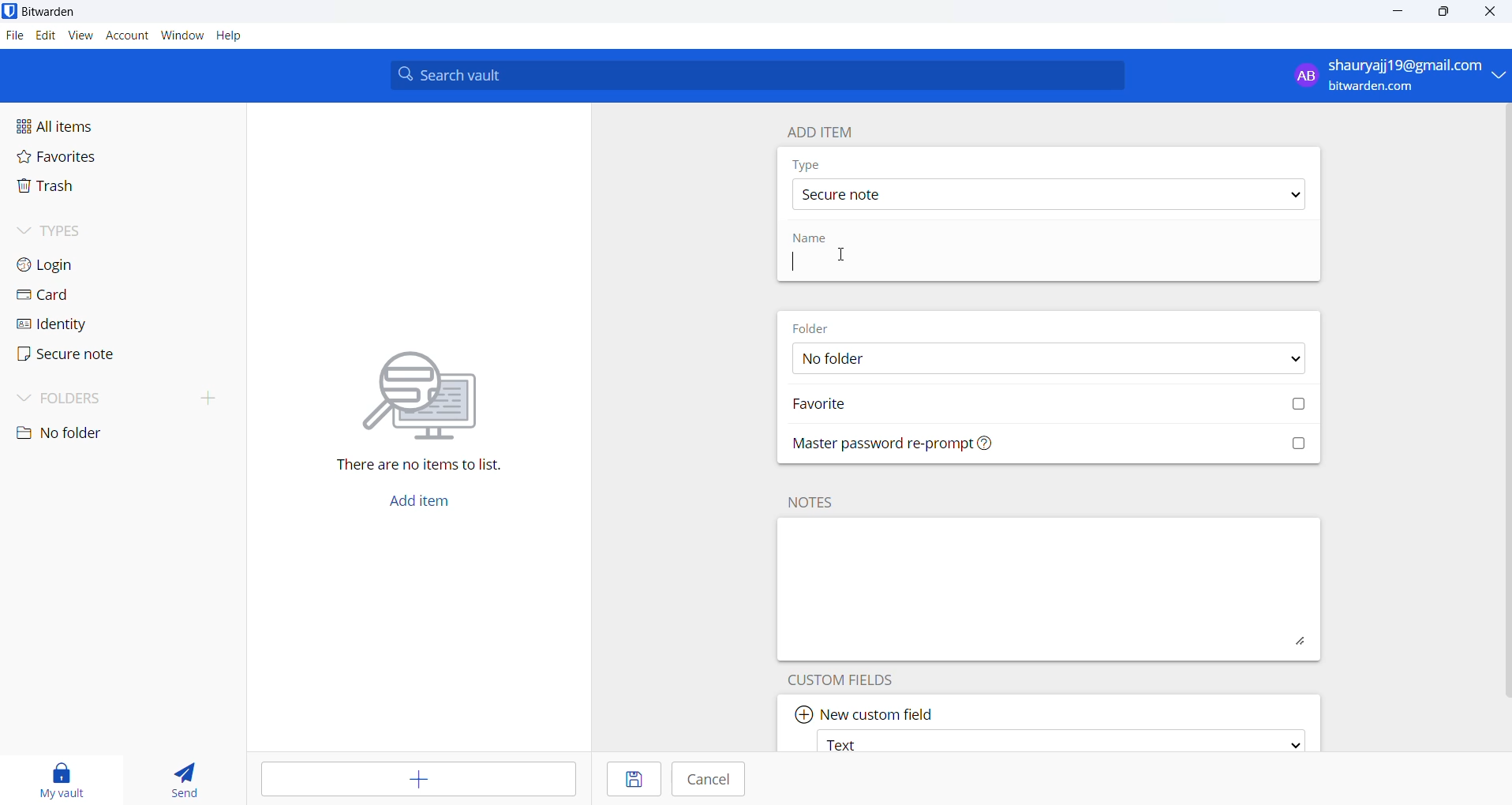  What do you see at coordinates (866, 710) in the screenshot?
I see `add new field` at bounding box center [866, 710].